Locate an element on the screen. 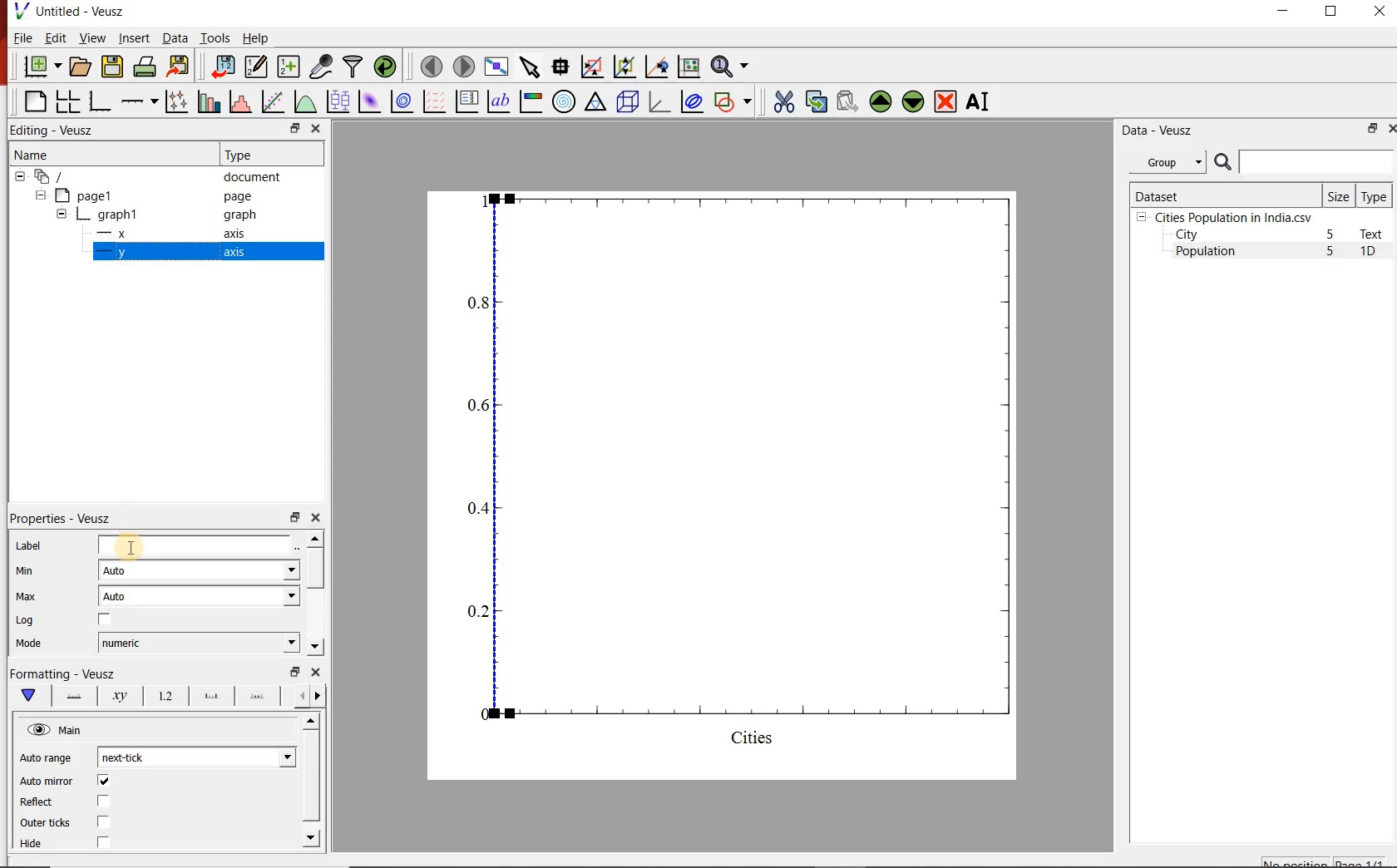 The image size is (1397, 868). Population is located at coordinates (1206, 253).